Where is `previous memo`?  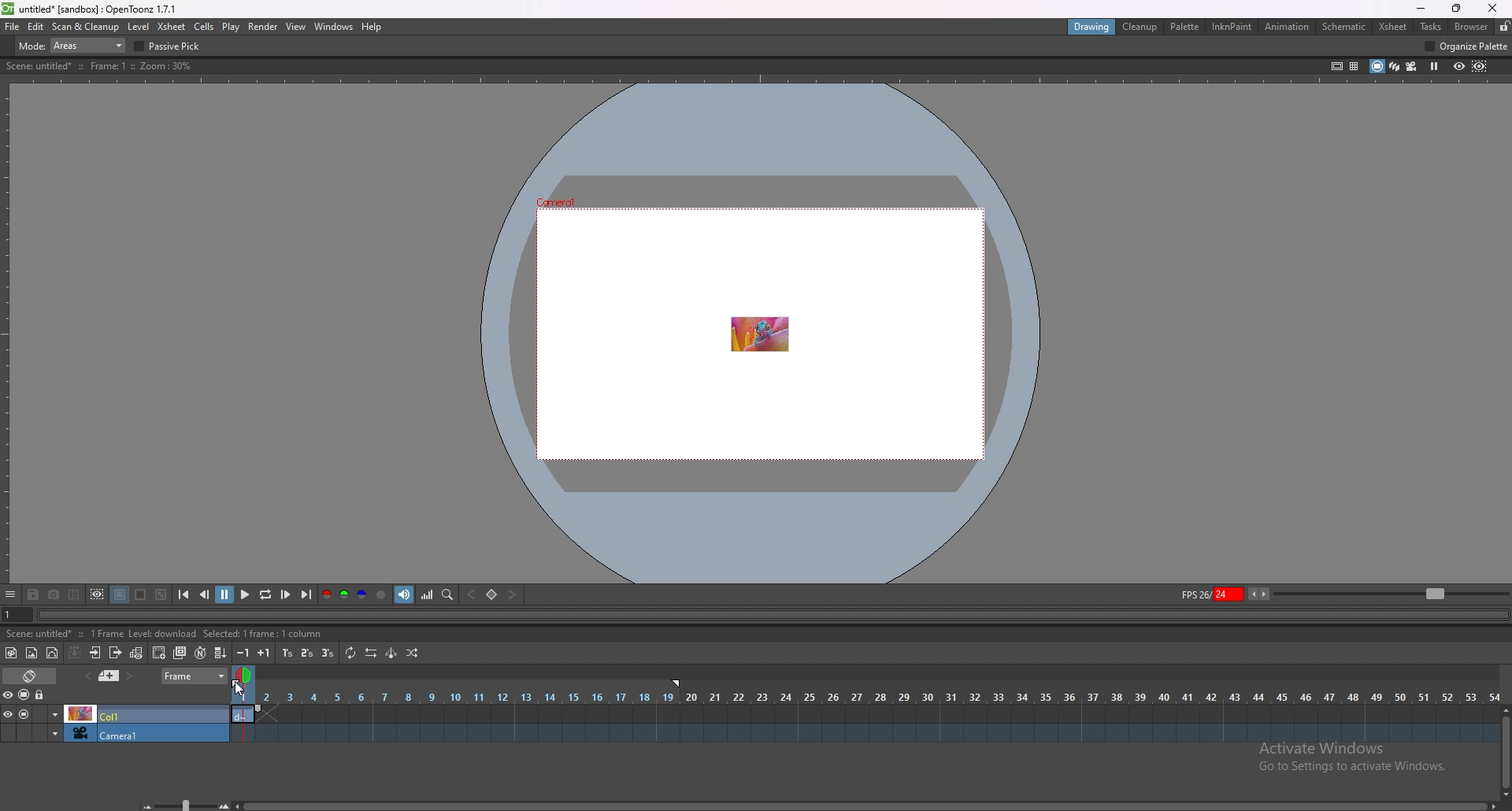 previous memo is located at coordinates (109, 676).